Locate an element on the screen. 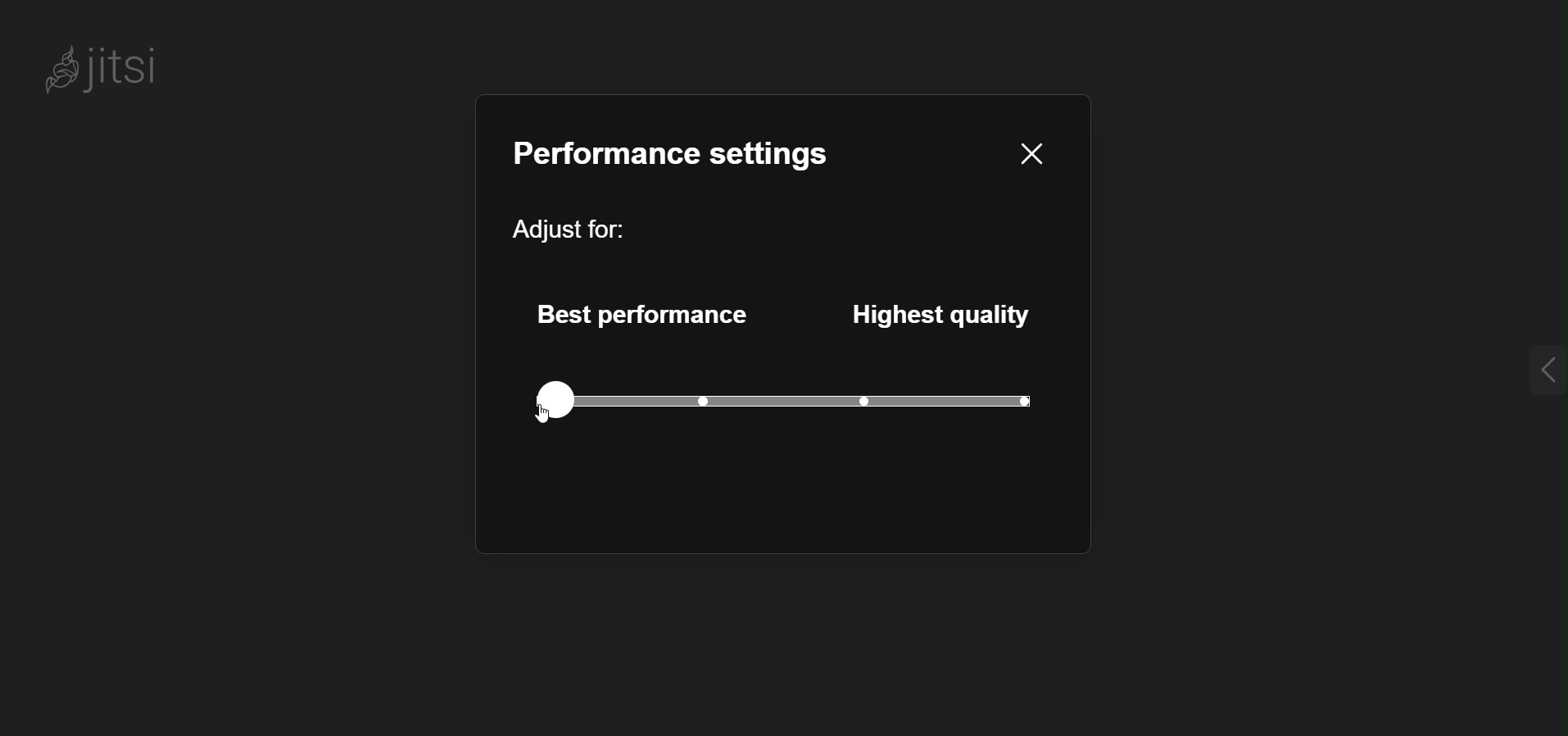 This screenshot has height=736, width=1568. quality level is located at coordinates (783, 399).